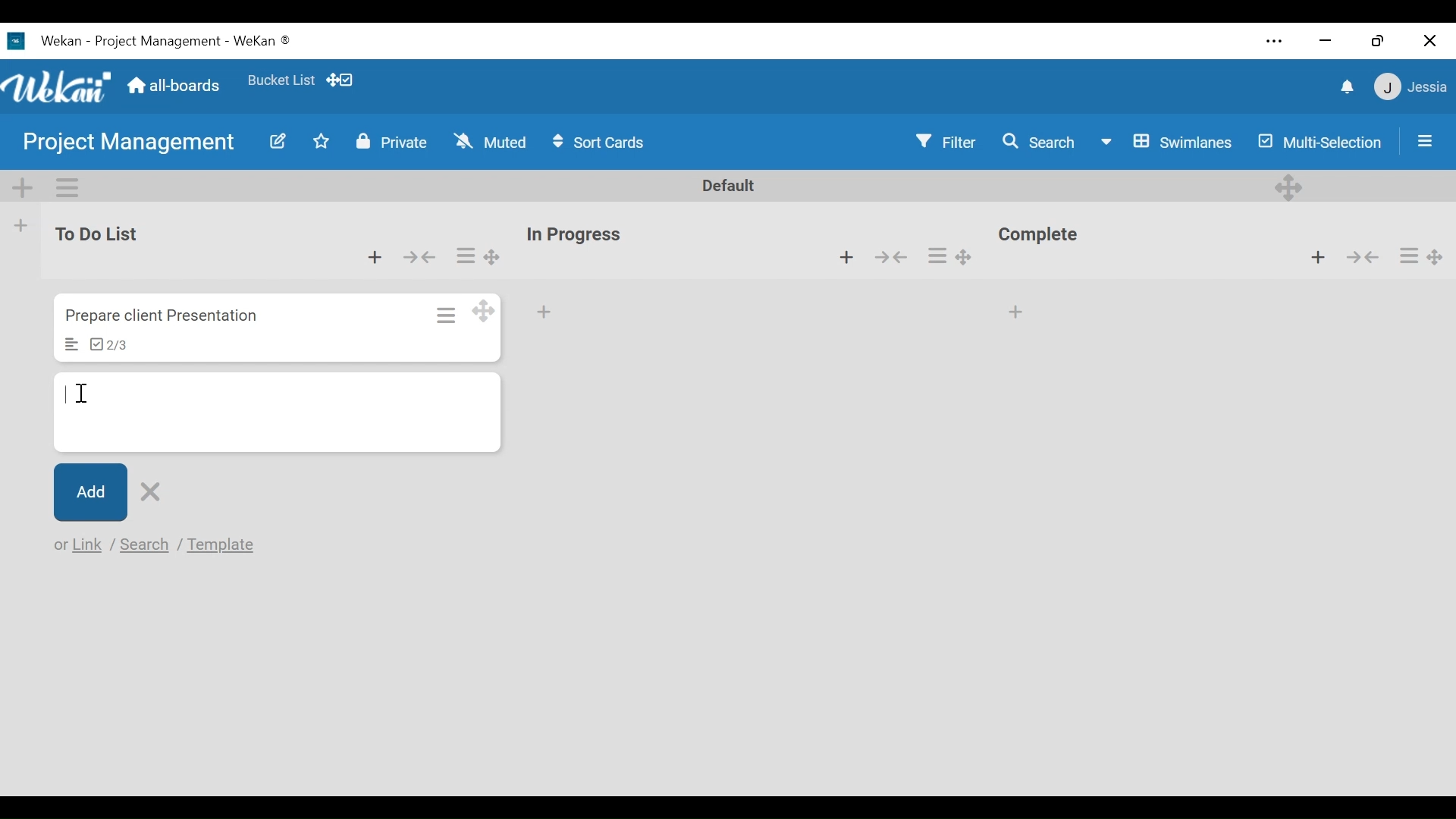 The image size is (1456, 819). What do you see at coordinates (466, 255) in the screenshot?
I see `Card actions` at bounding box center [466, 255].